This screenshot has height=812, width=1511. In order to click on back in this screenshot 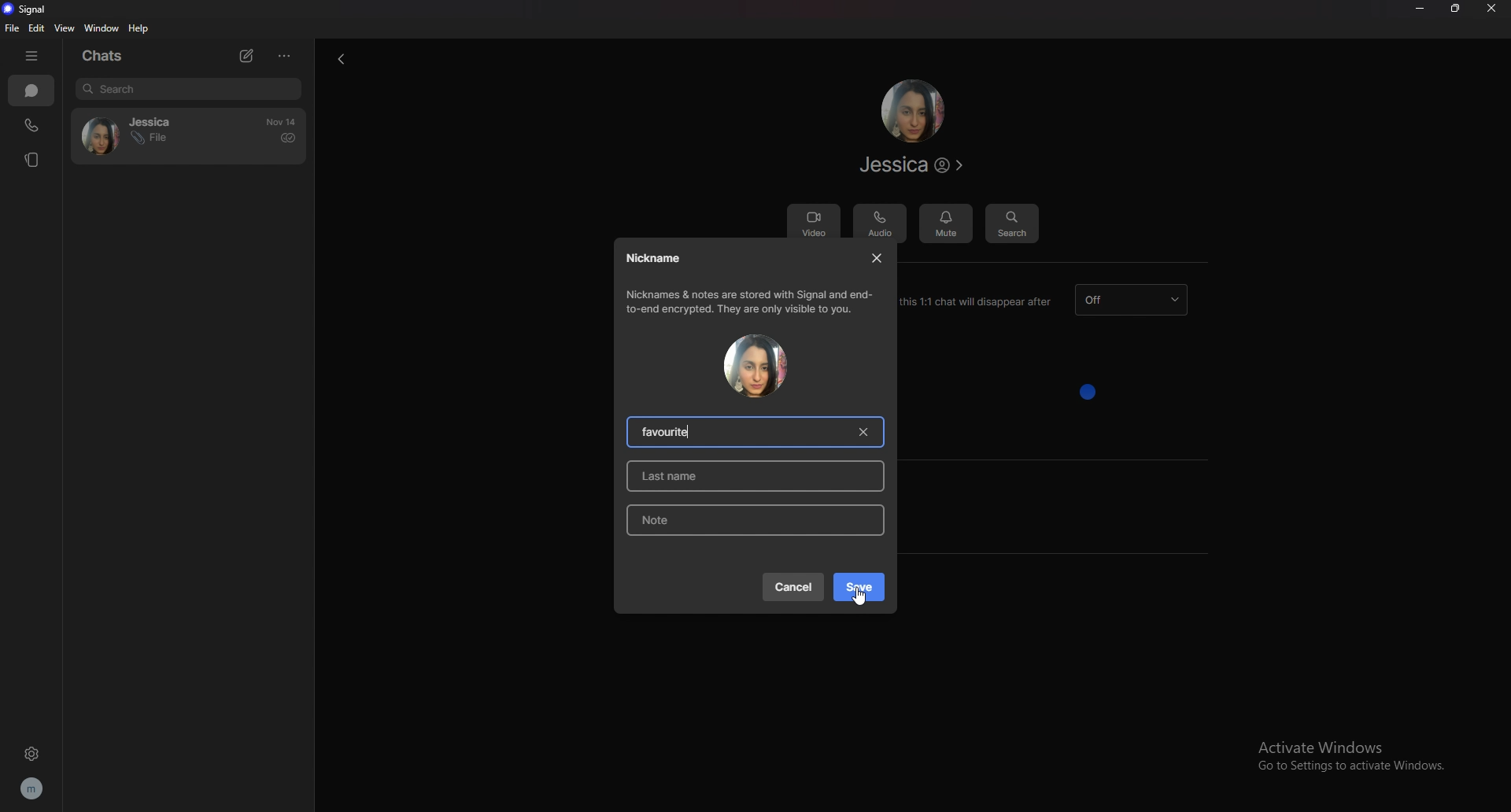, I will do `click(341, 58)`.